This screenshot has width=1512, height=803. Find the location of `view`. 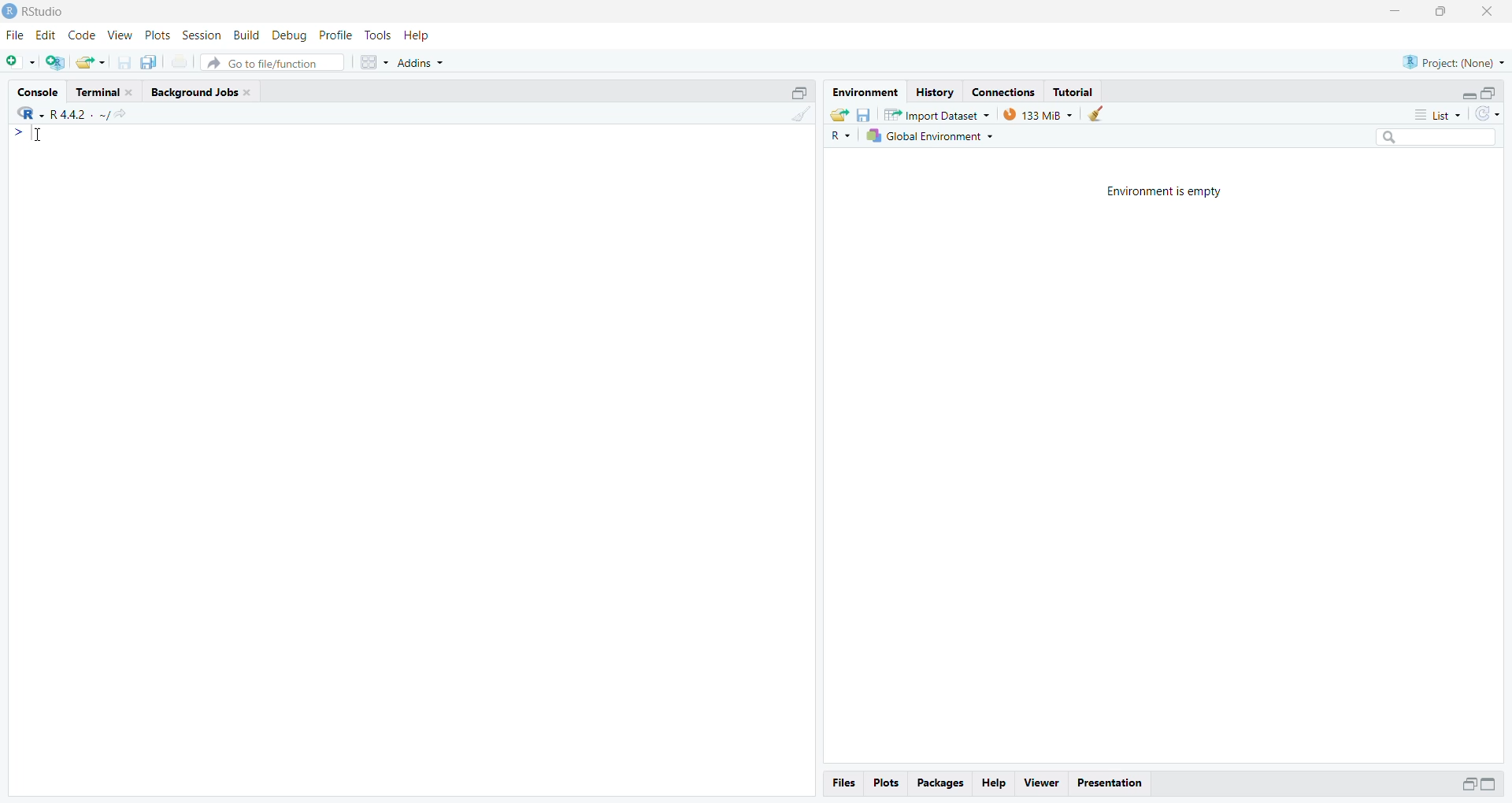

view is located at coordinates (124, 35).